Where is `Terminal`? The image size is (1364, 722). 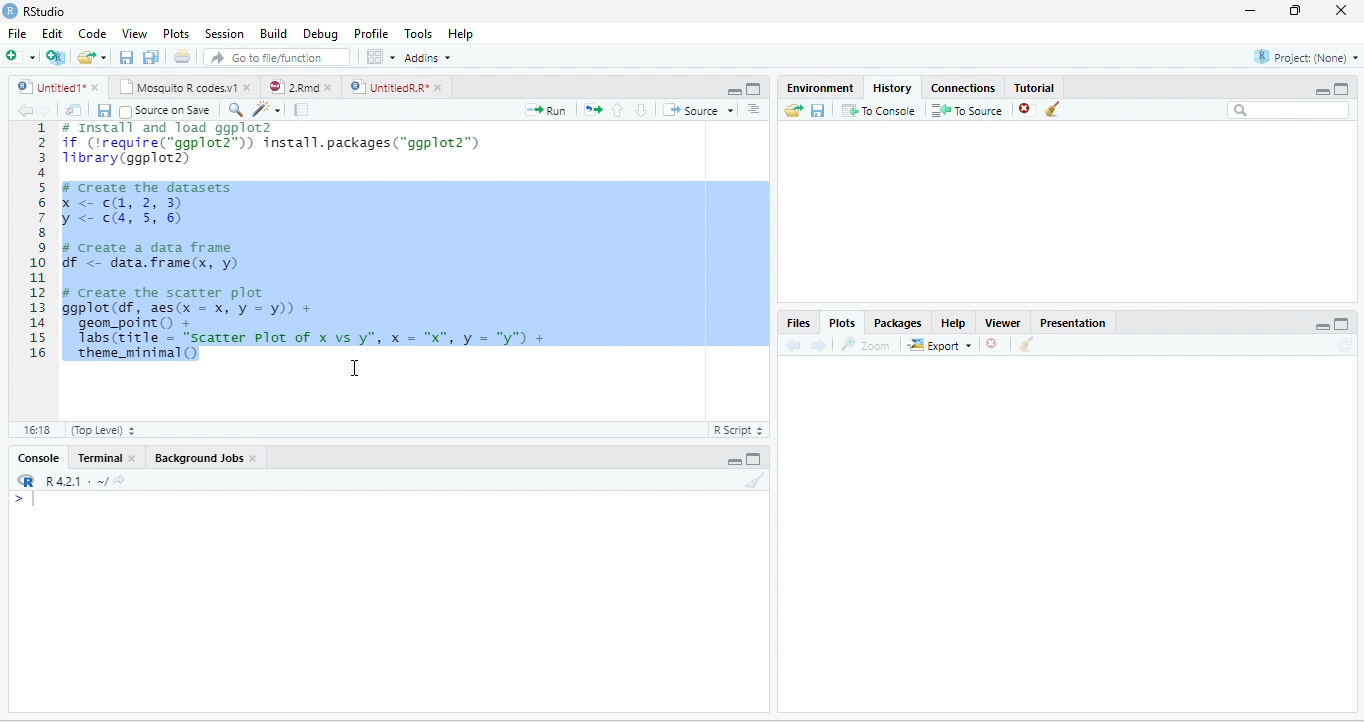
Terminal is located at coordinates (99, 458).